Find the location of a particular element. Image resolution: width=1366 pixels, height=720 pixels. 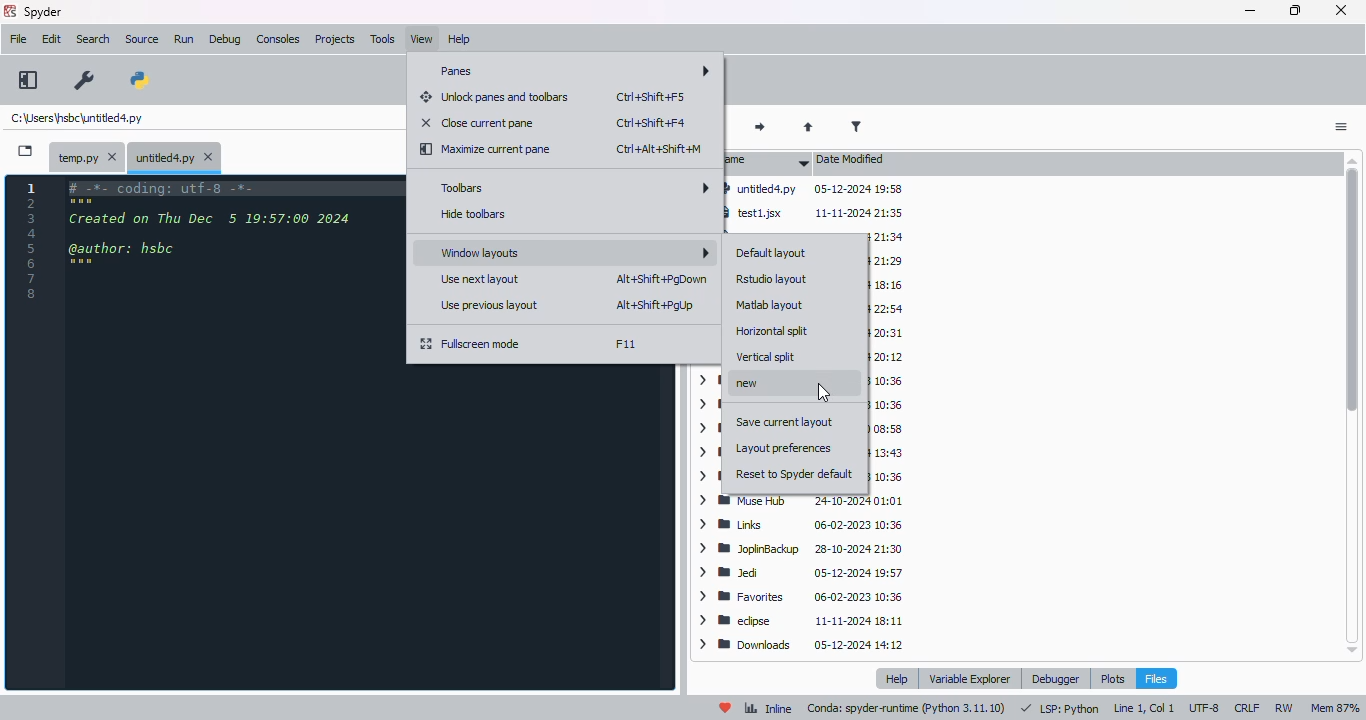

Zotero is located at coordinates (890, 284).